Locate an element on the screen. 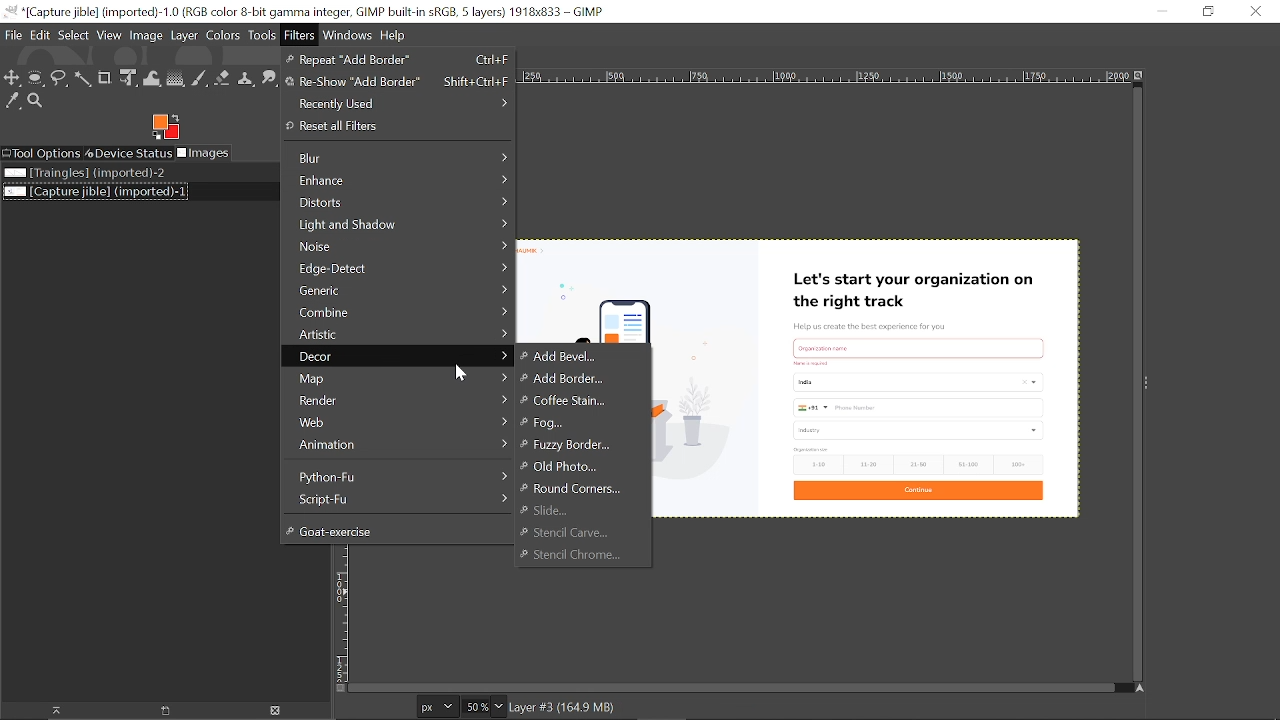 This screenshot has height=720, width=1280. Generic is located at coordinates (401, 290).